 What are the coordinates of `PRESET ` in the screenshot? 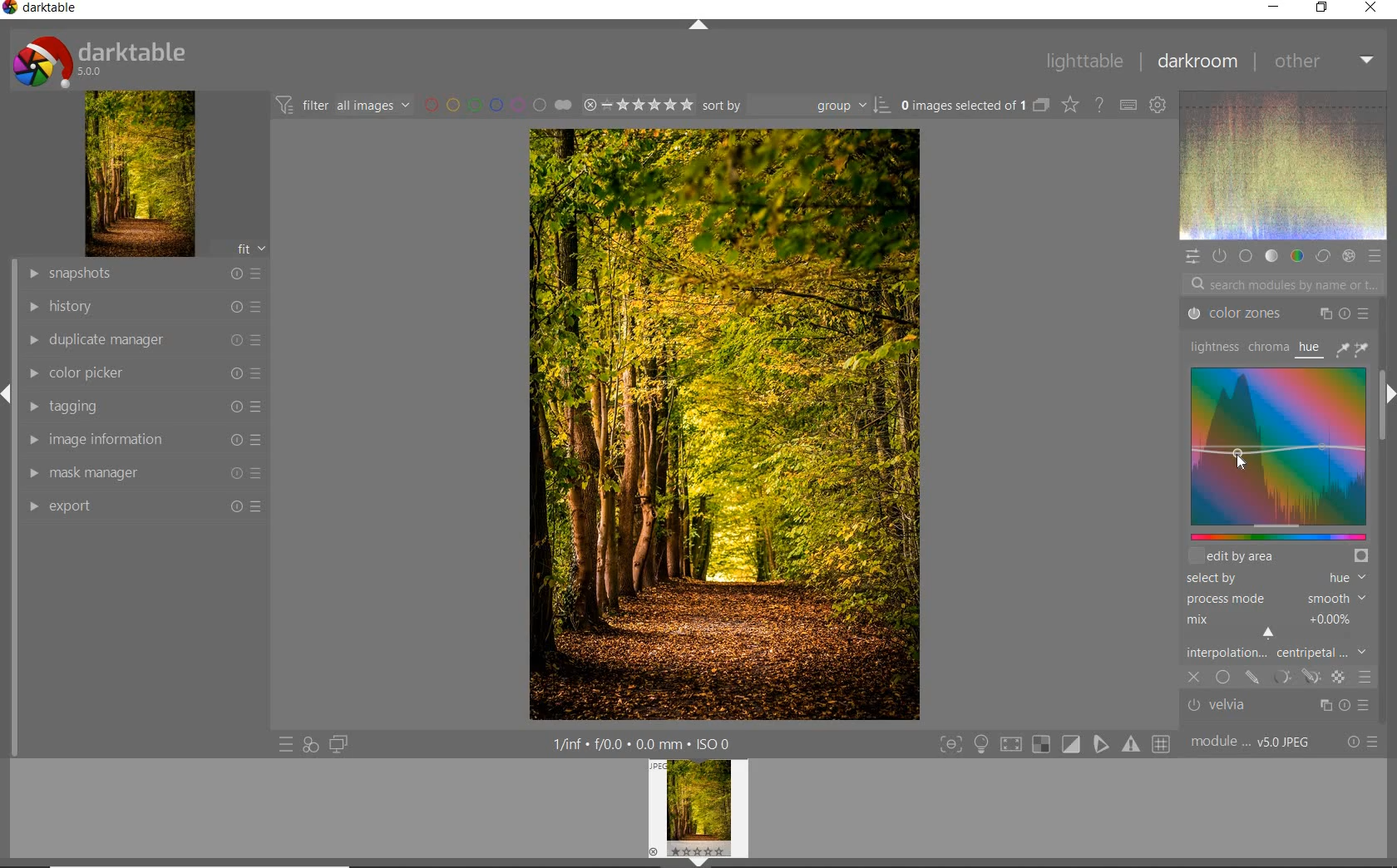 It's located at (1375, 255).